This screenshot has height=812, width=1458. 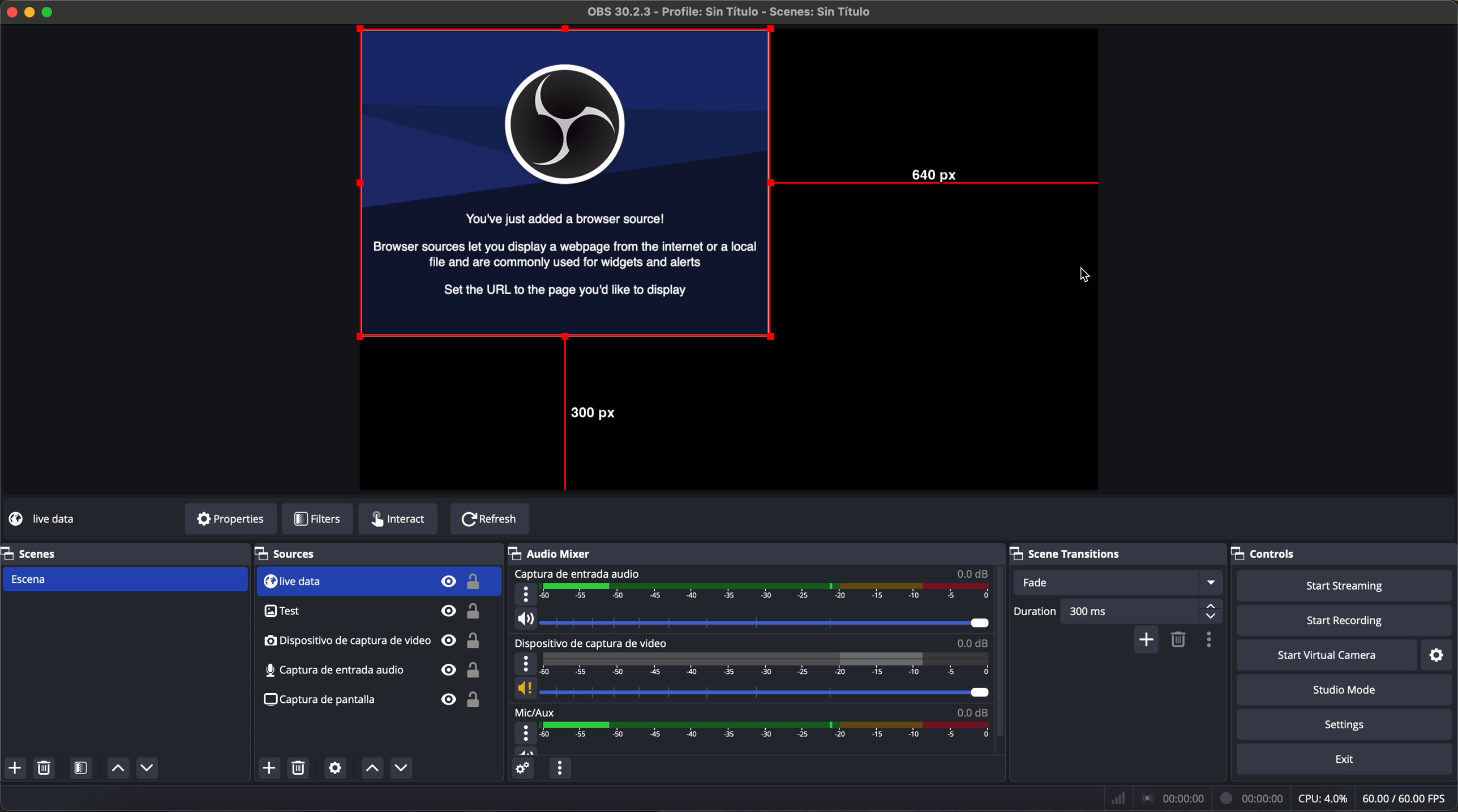 I want to click on transition properties, so click(x=1211, y=641).